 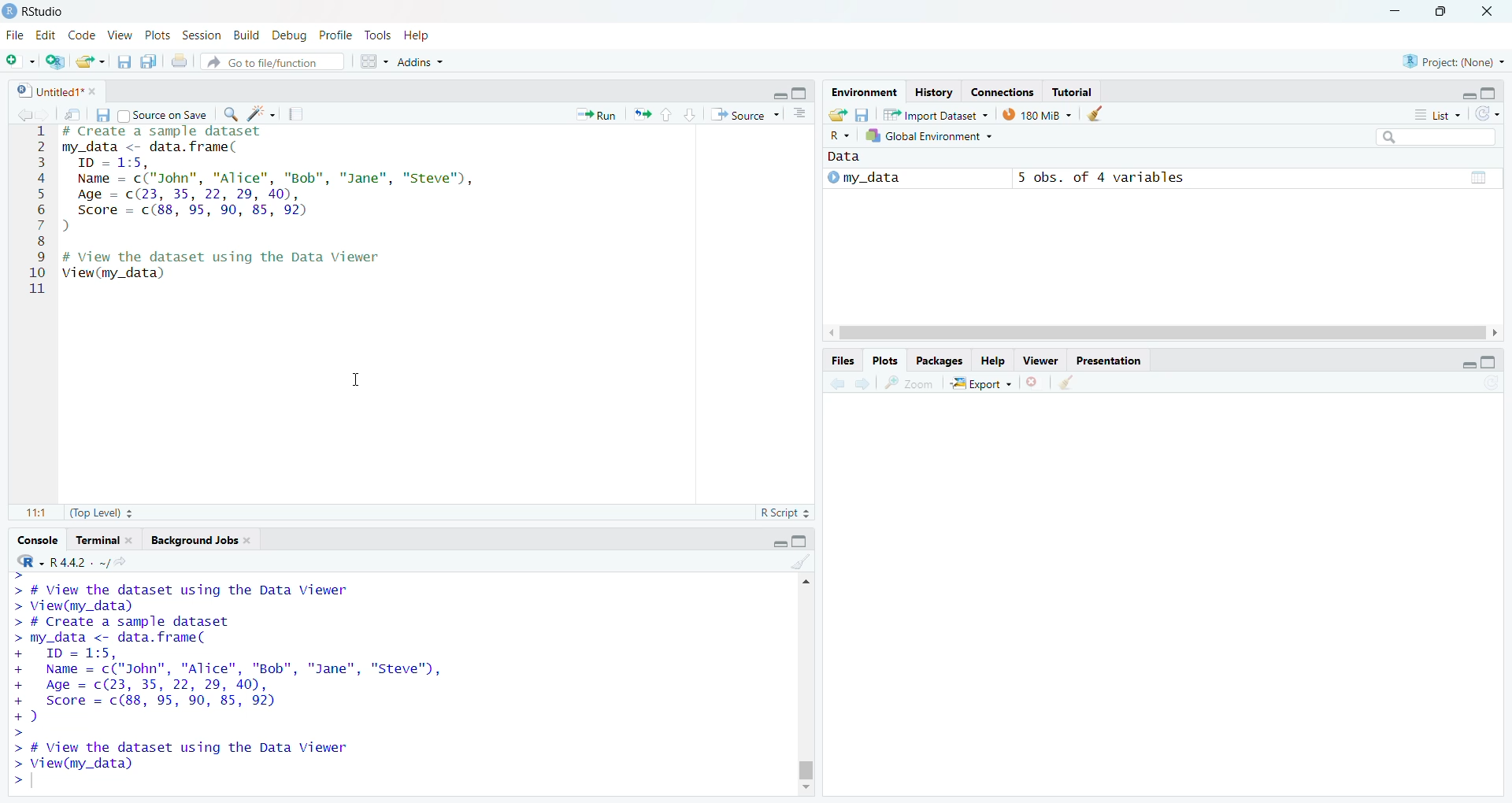 What do you see at coordinates (204, 542) in the screenshot?
I see `Background Jobs` at bounding box center [204, 542].